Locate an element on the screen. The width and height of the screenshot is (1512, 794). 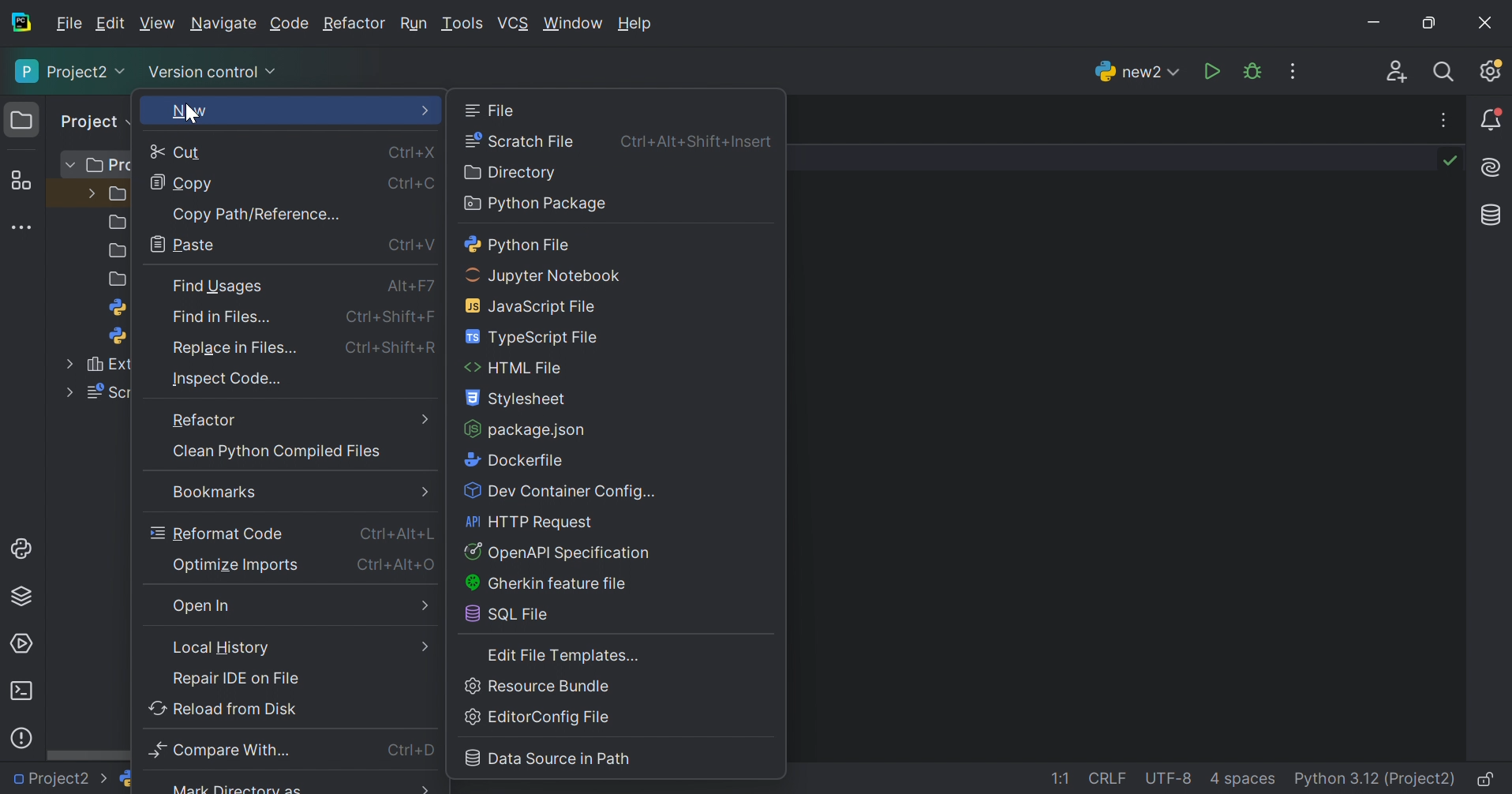
Gherkin feature file is located at coordinates (545, 584).